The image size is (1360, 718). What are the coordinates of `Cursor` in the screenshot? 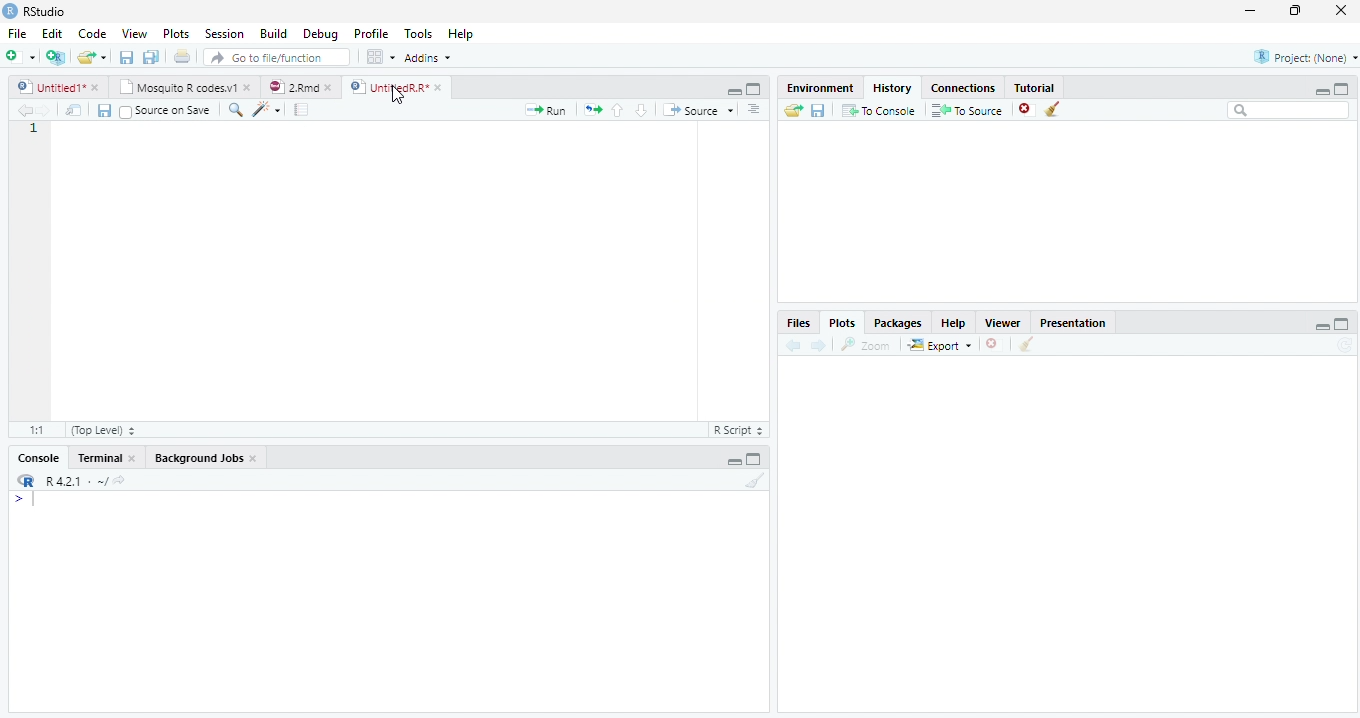 It's located at (37, 501).